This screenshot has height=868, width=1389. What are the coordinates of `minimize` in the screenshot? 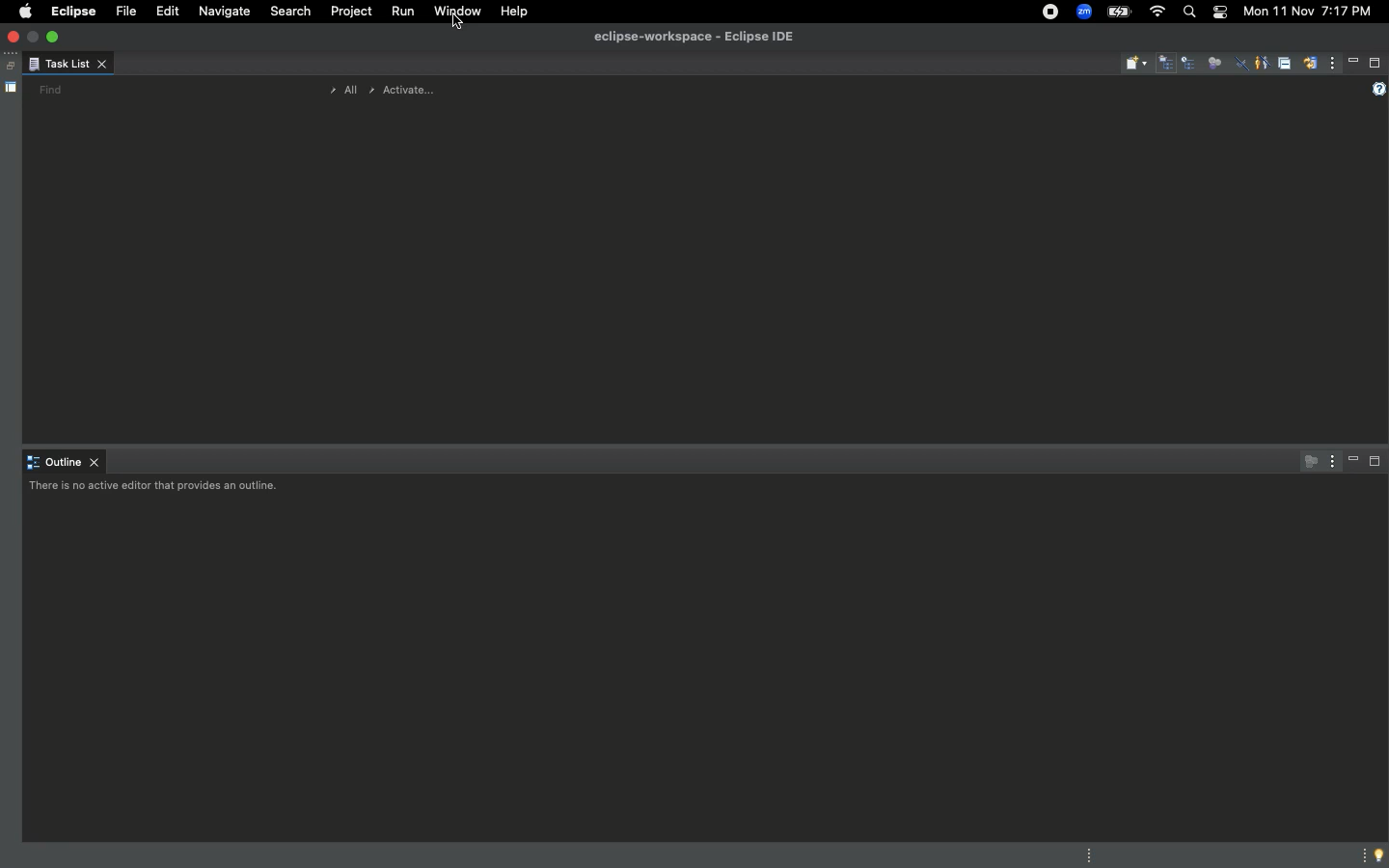 It's located at (35, 36).